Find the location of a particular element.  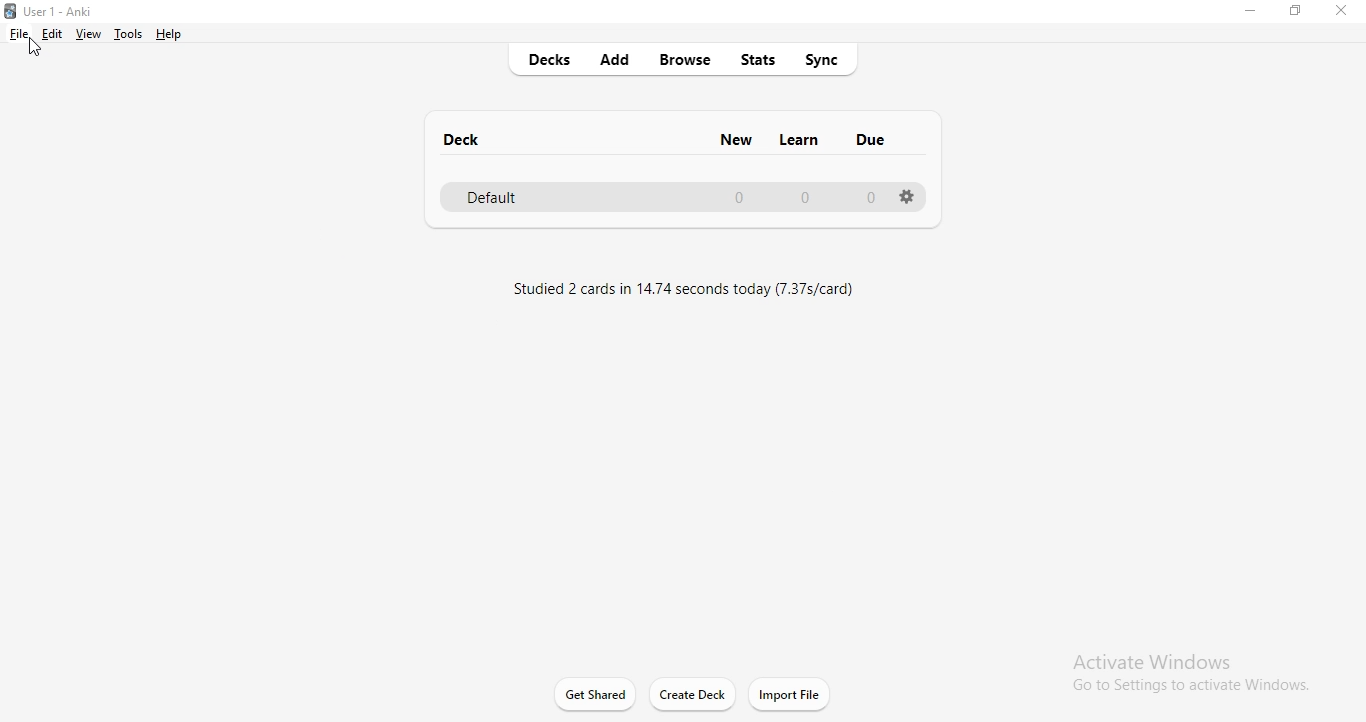

text1 is located at coordinates (688, 286).